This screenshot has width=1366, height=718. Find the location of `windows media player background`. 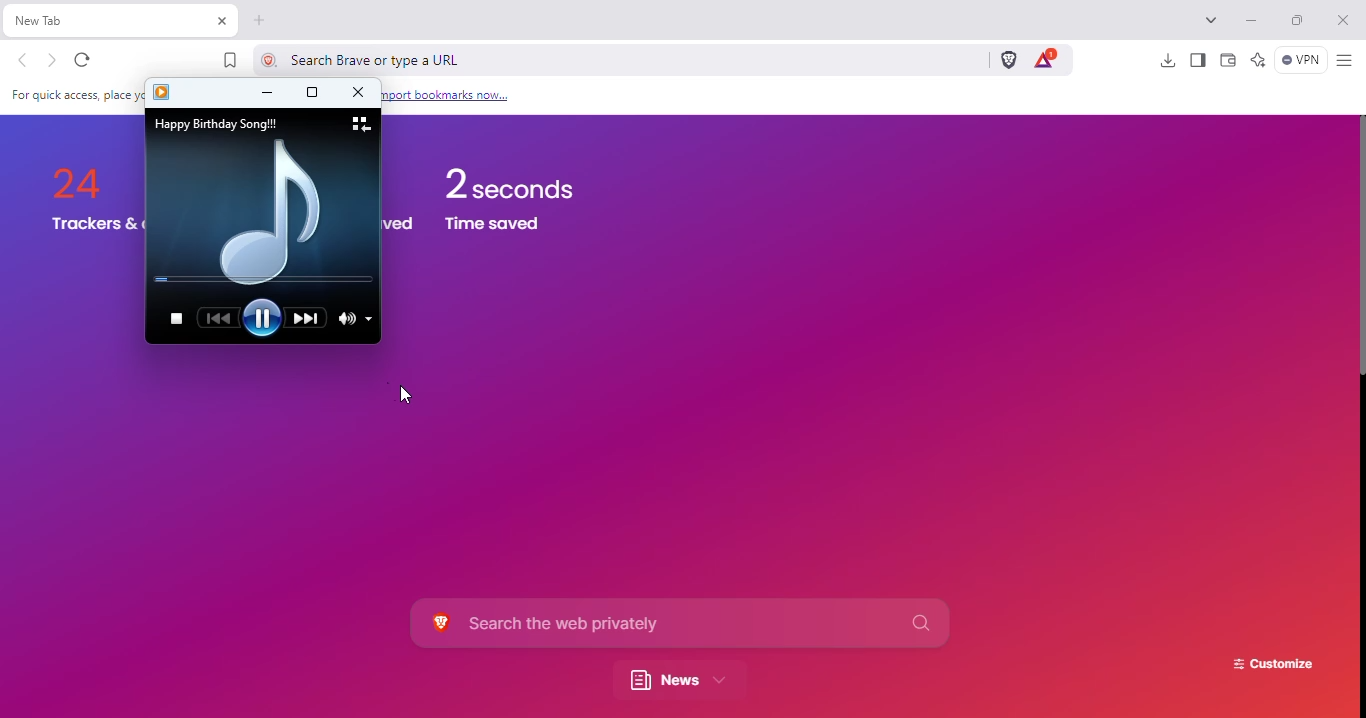

windows media player background is located at coordinates (274, 210).